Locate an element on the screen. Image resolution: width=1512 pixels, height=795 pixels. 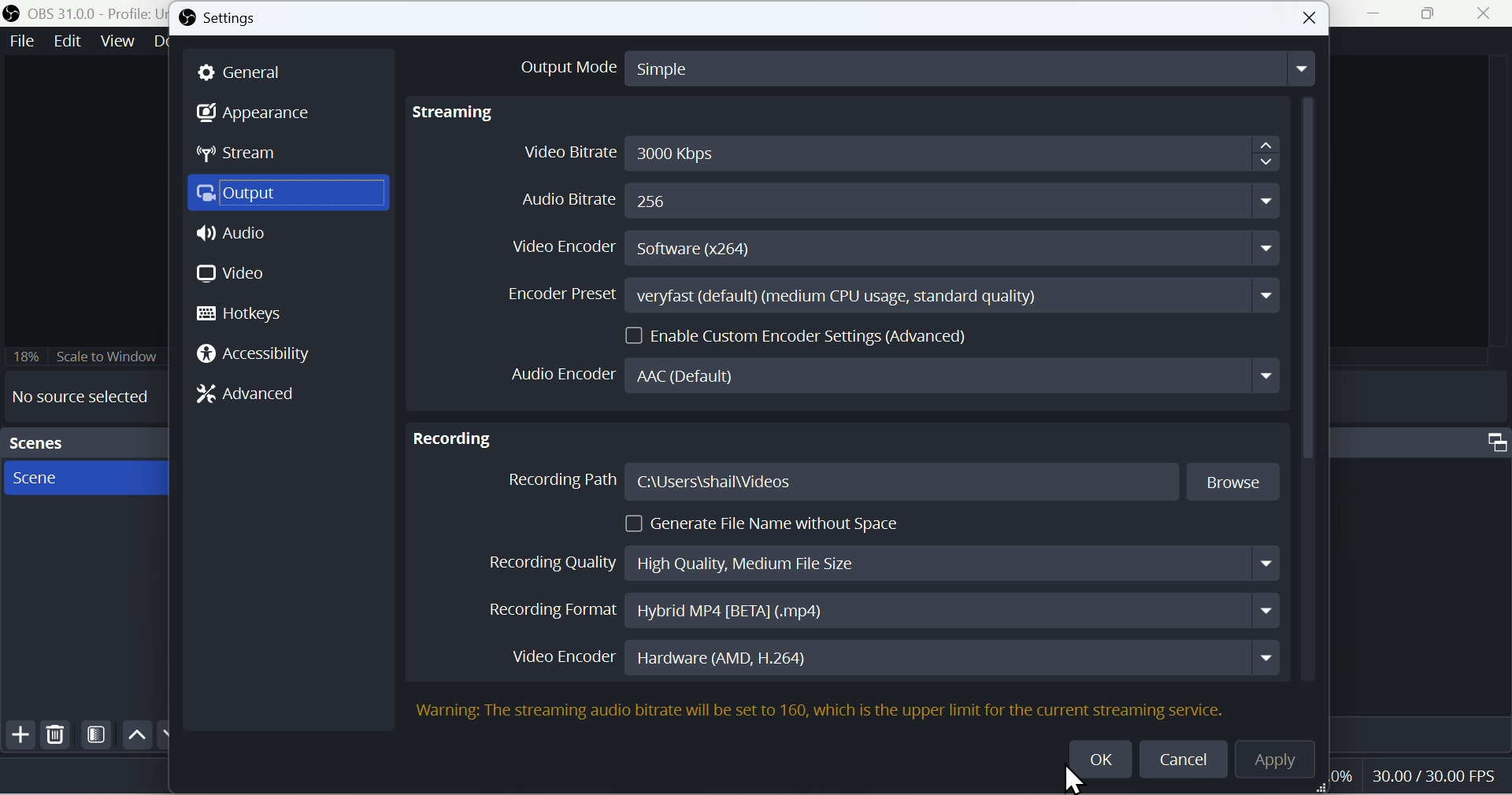
Recording is located at coordinates (453, 434).